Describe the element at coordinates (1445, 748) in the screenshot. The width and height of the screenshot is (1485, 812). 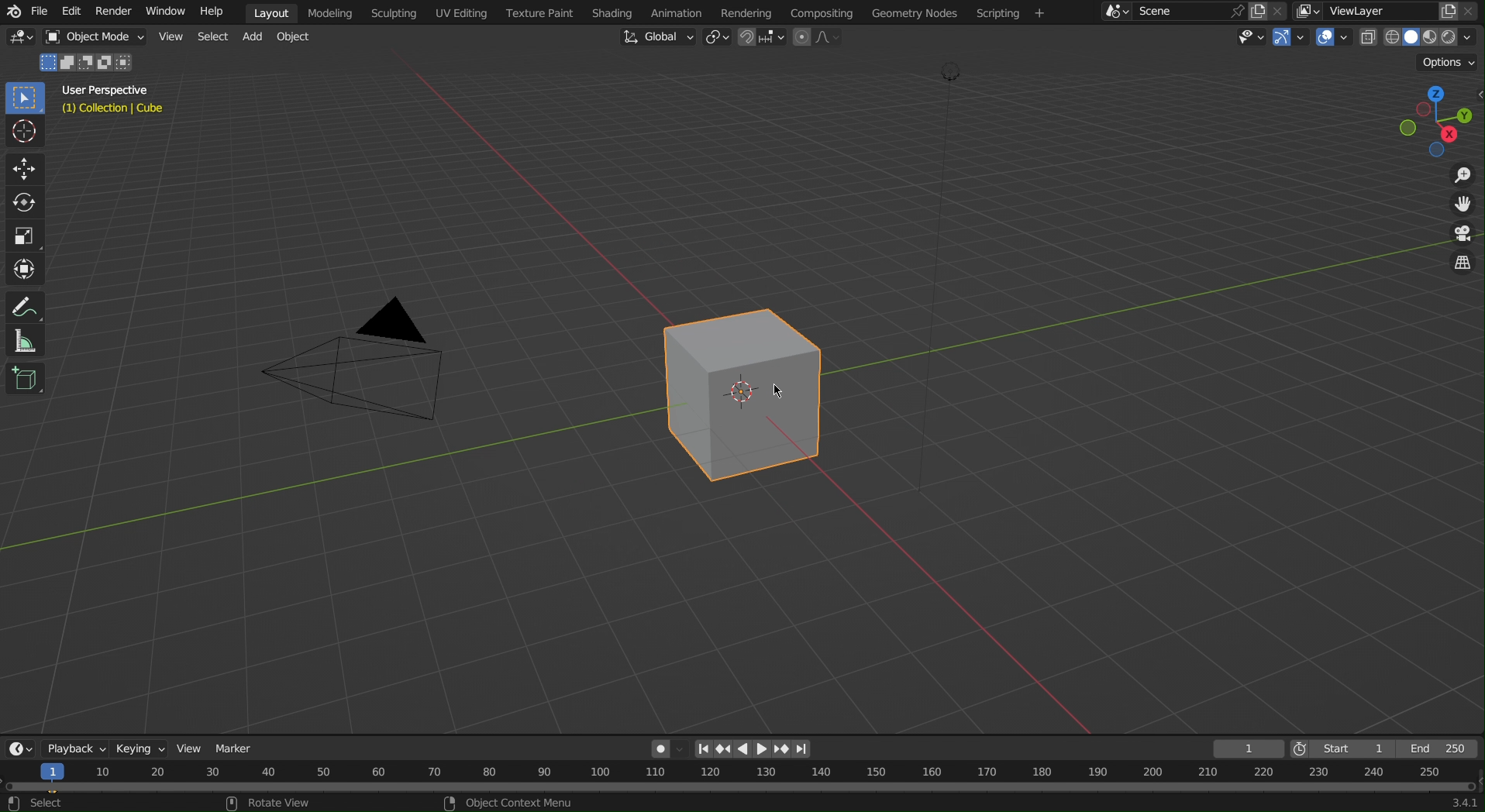
I see `End` at that location.